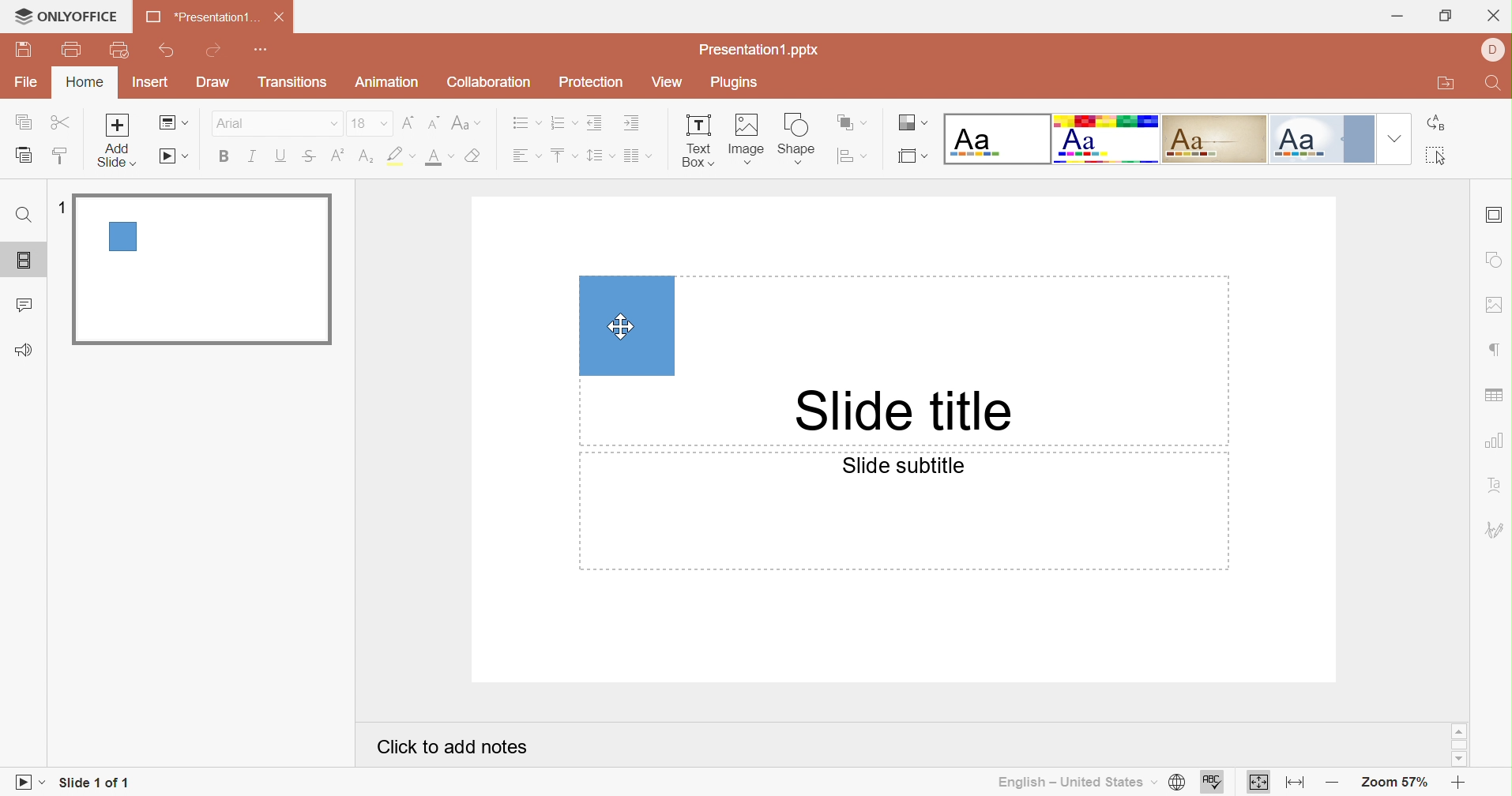  I want to click on Insert, so click(150, 81).